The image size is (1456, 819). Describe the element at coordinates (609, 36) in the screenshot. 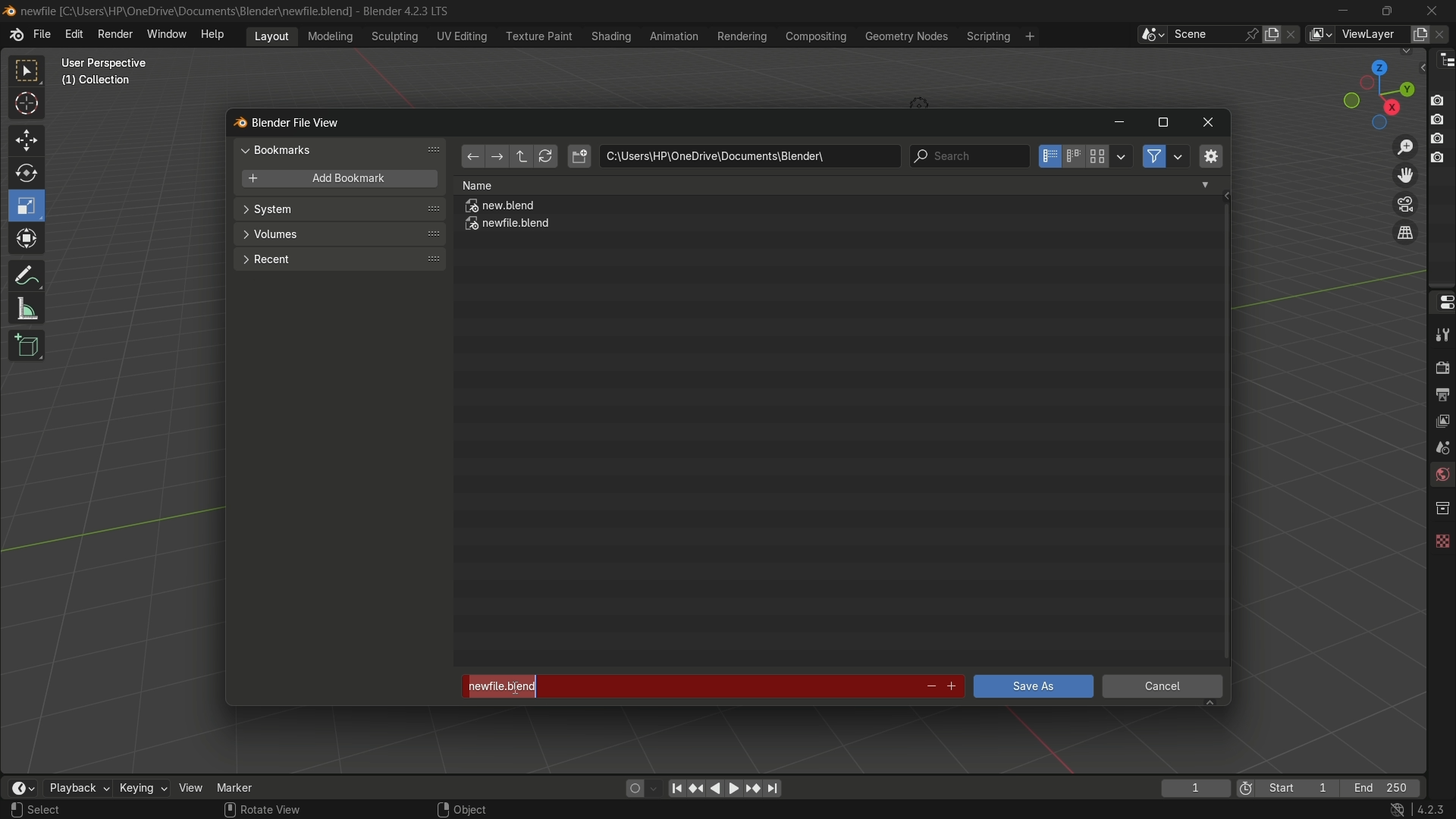

I see `shading menu` at that location.